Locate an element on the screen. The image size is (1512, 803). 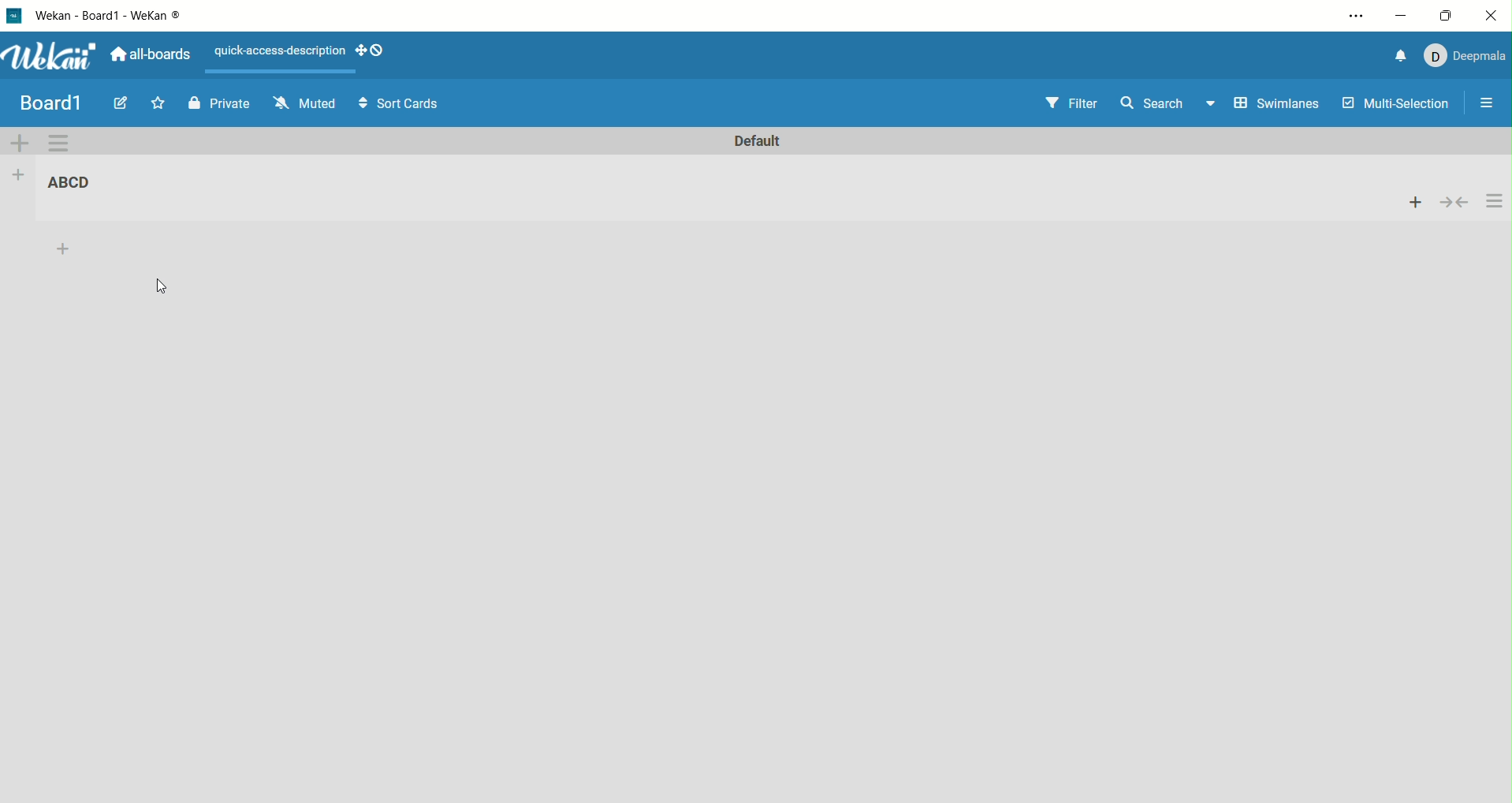
search is located at coordinates (1167, 105).